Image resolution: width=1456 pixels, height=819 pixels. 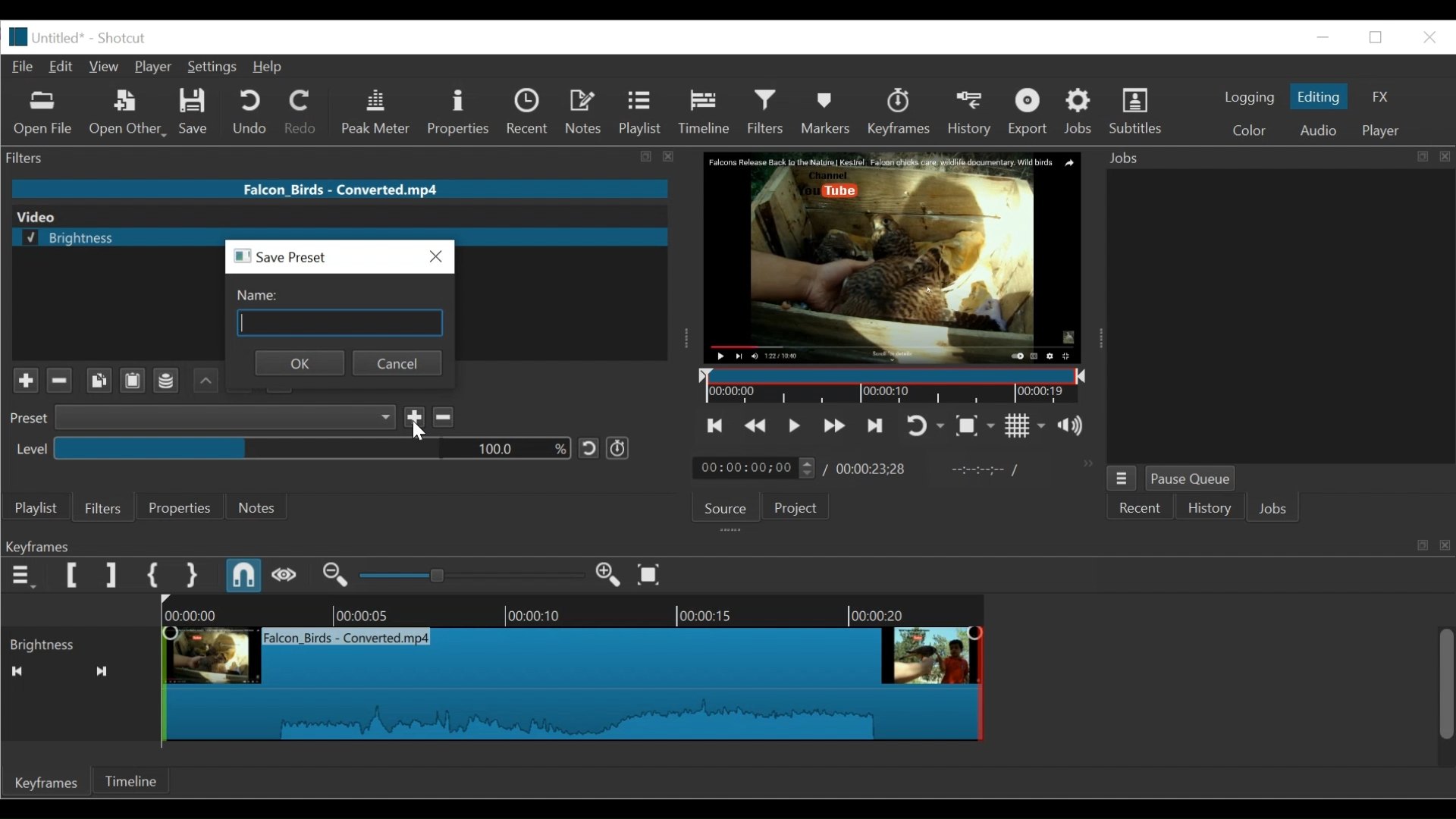 What do you see at coordinates (304, 113) in the screenshot?
I see `Redo` at bounding box center [304, 113].